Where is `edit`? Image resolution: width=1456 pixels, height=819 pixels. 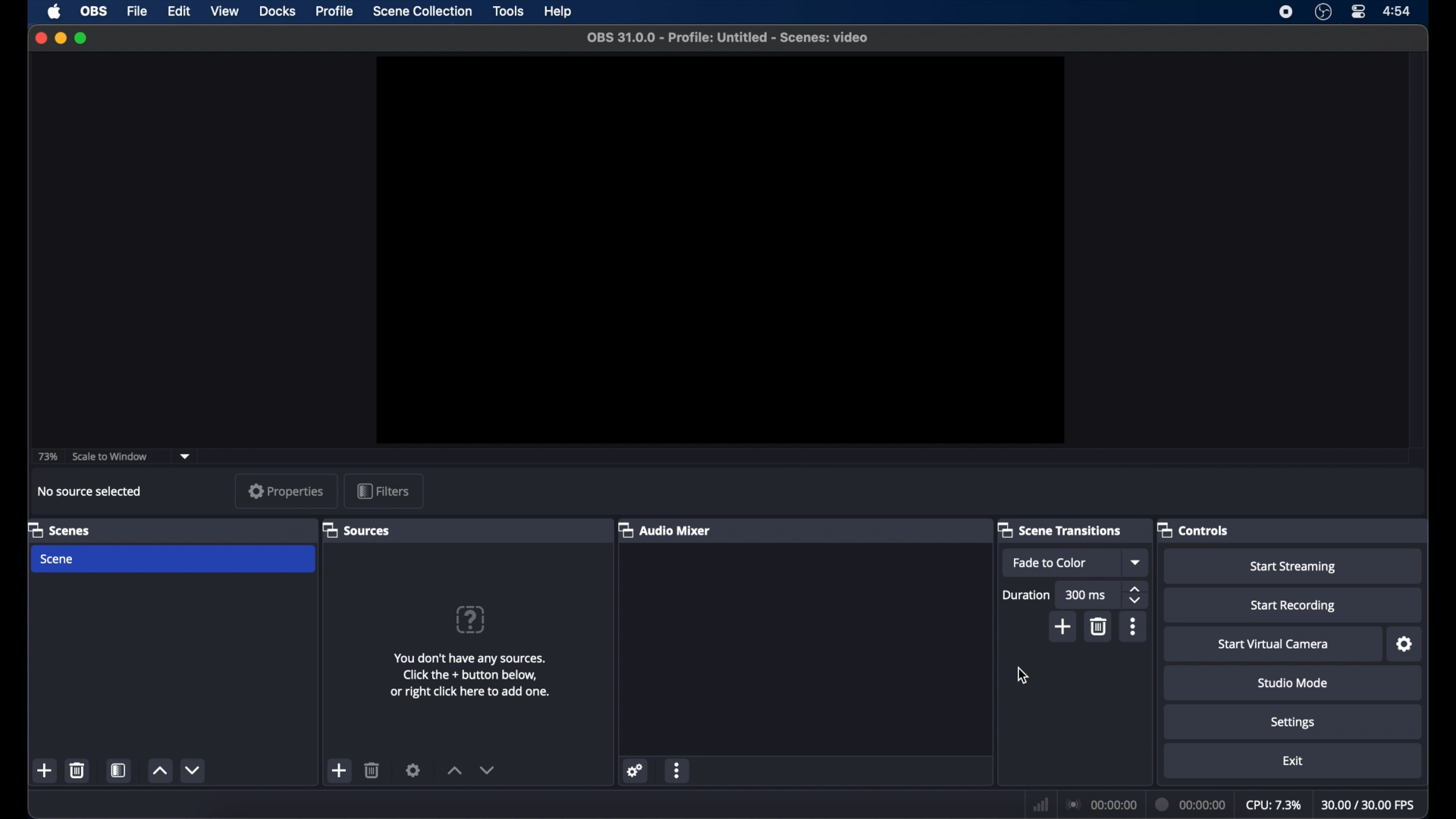
edit is located at coordinates (180, 11).